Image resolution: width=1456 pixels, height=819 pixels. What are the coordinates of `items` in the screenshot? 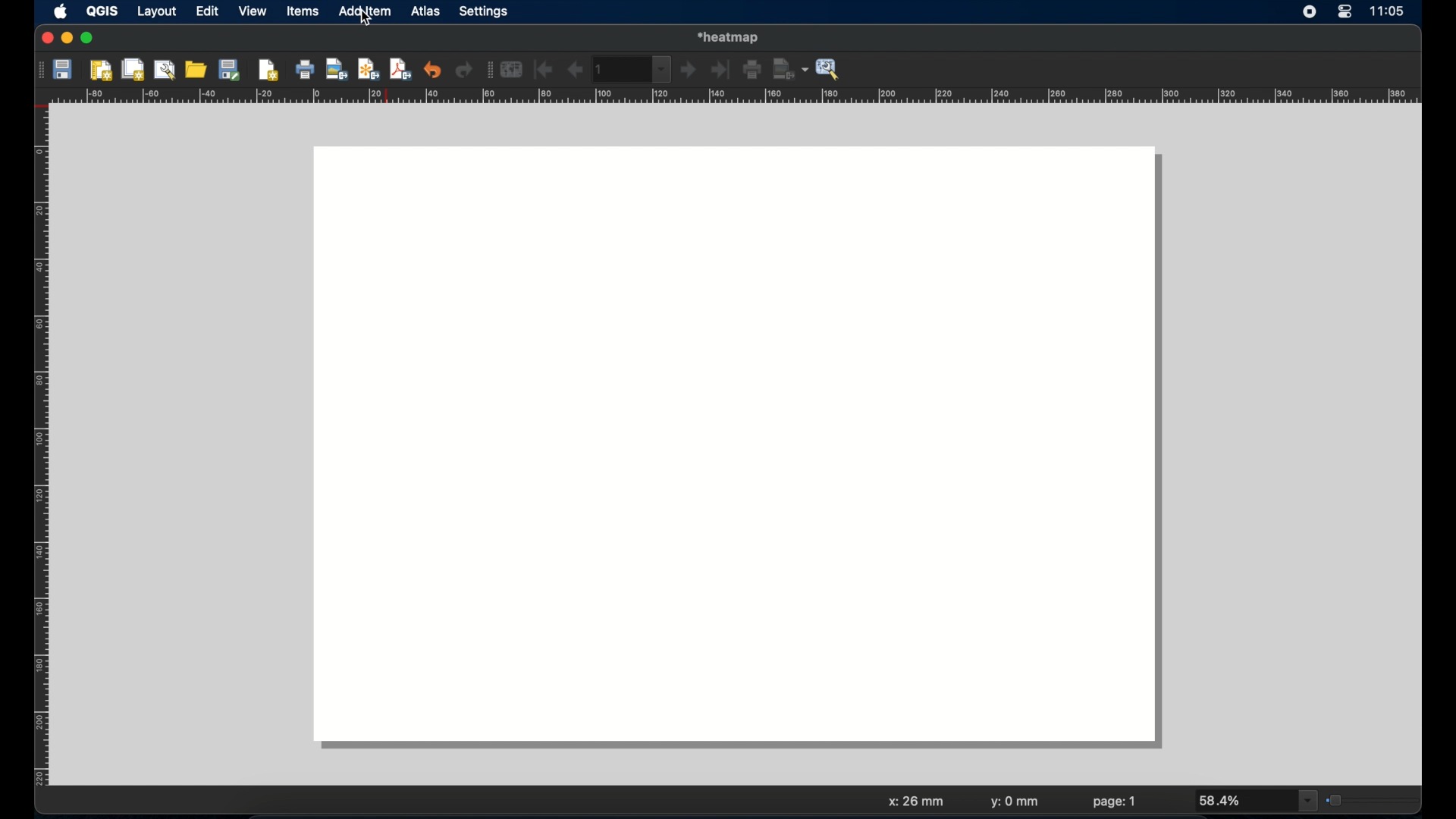 It's located at (303, 13).